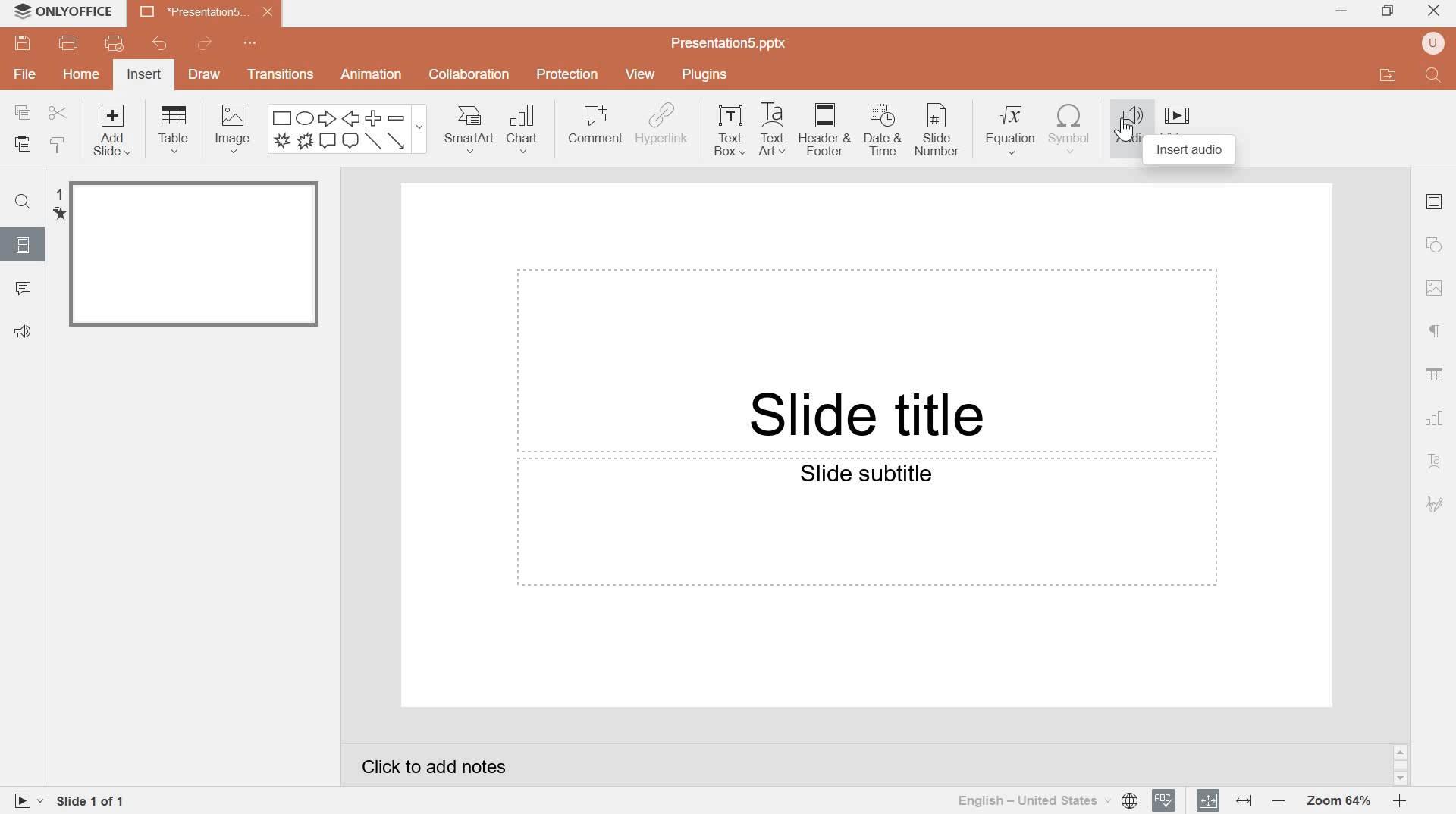  What do you see at coordinates (1435, 76) in the screenshot?
I see `Find` at bounding box center [1435, 76].